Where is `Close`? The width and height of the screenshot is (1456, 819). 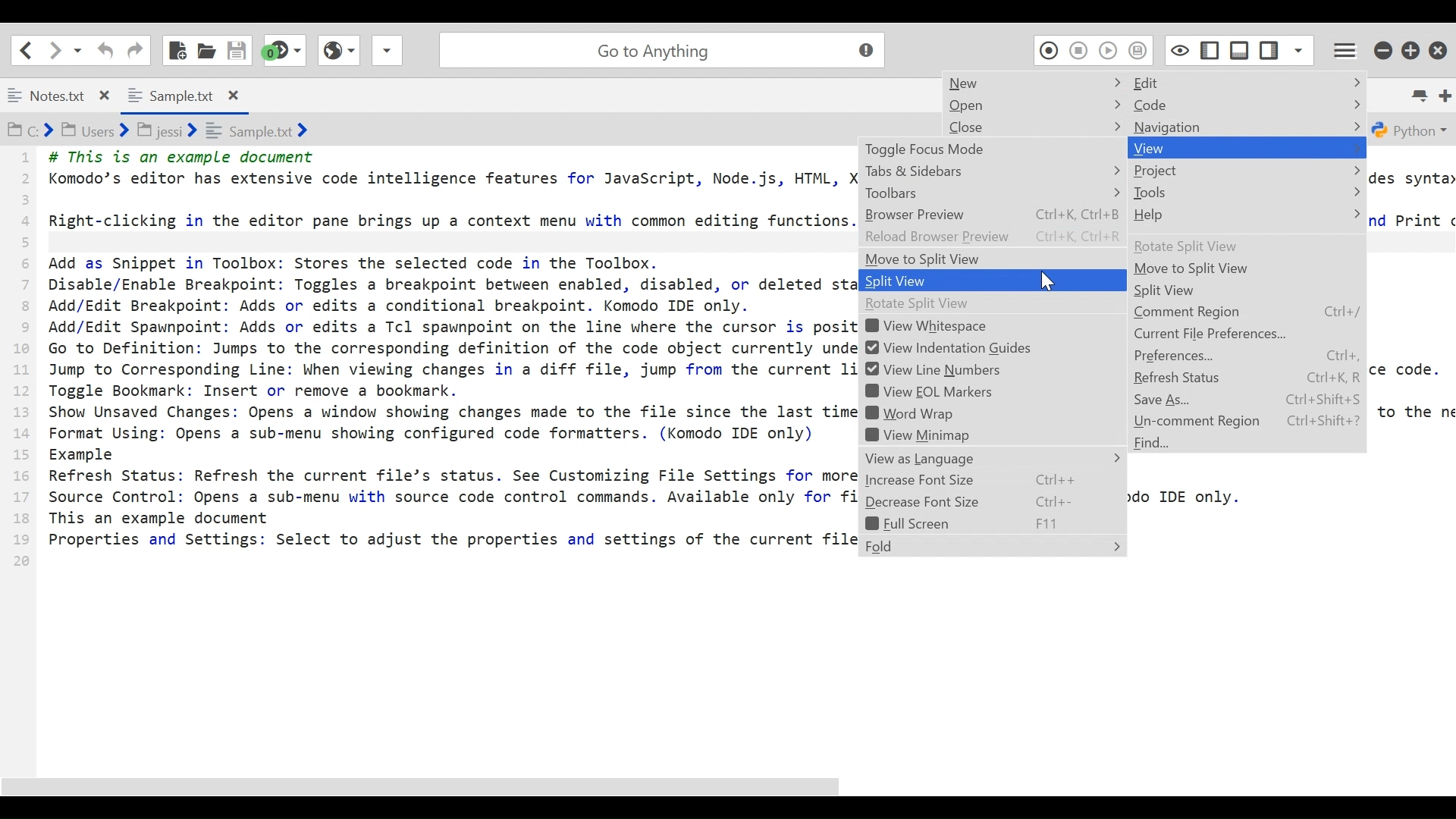
Close is located at coordinates (1439, 51).